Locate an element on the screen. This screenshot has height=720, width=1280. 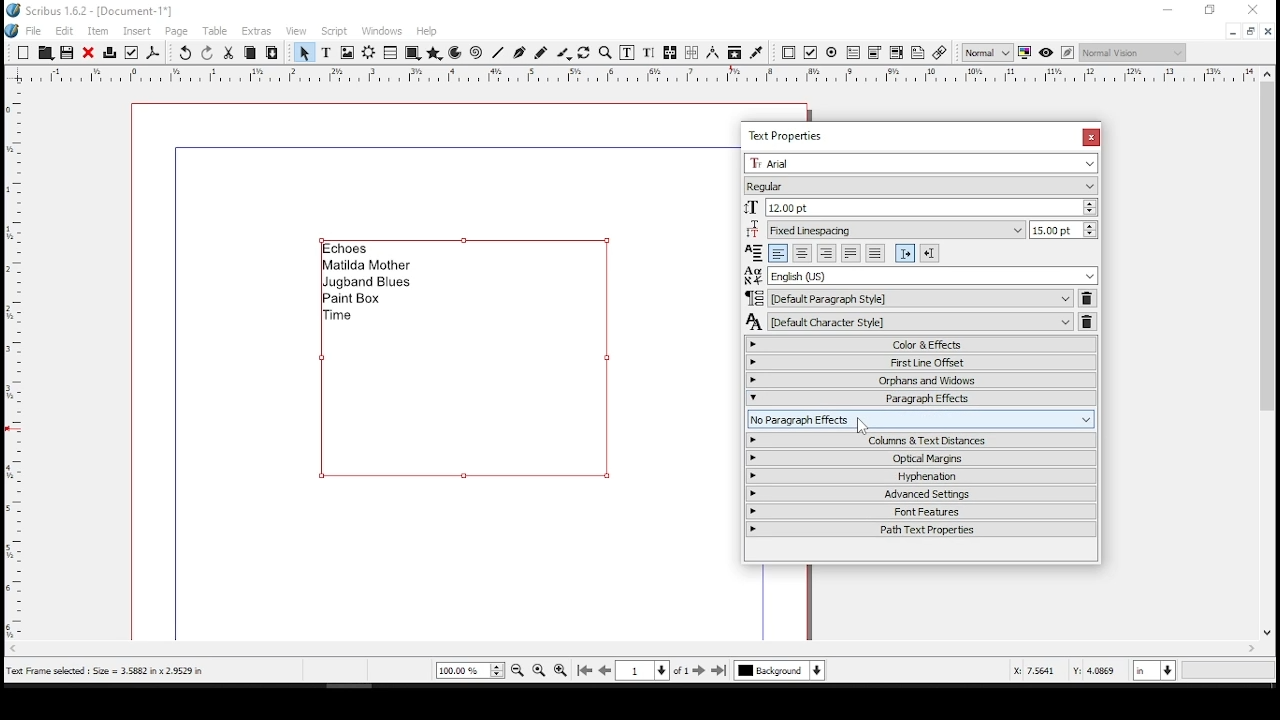
render frame is located at coordinates (369, 53).